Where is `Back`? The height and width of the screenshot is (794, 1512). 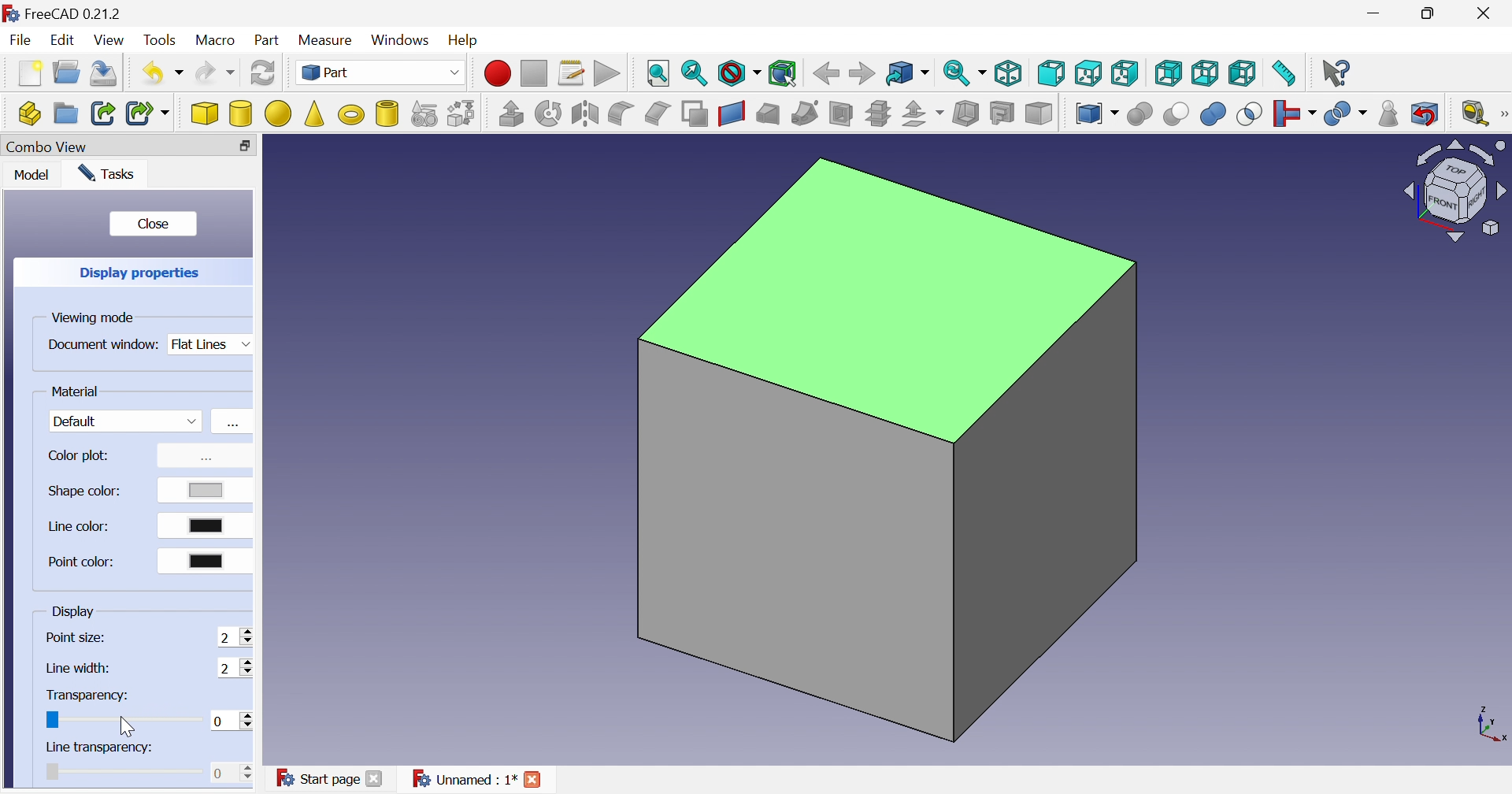 Back is located at coordinates (827, 74).